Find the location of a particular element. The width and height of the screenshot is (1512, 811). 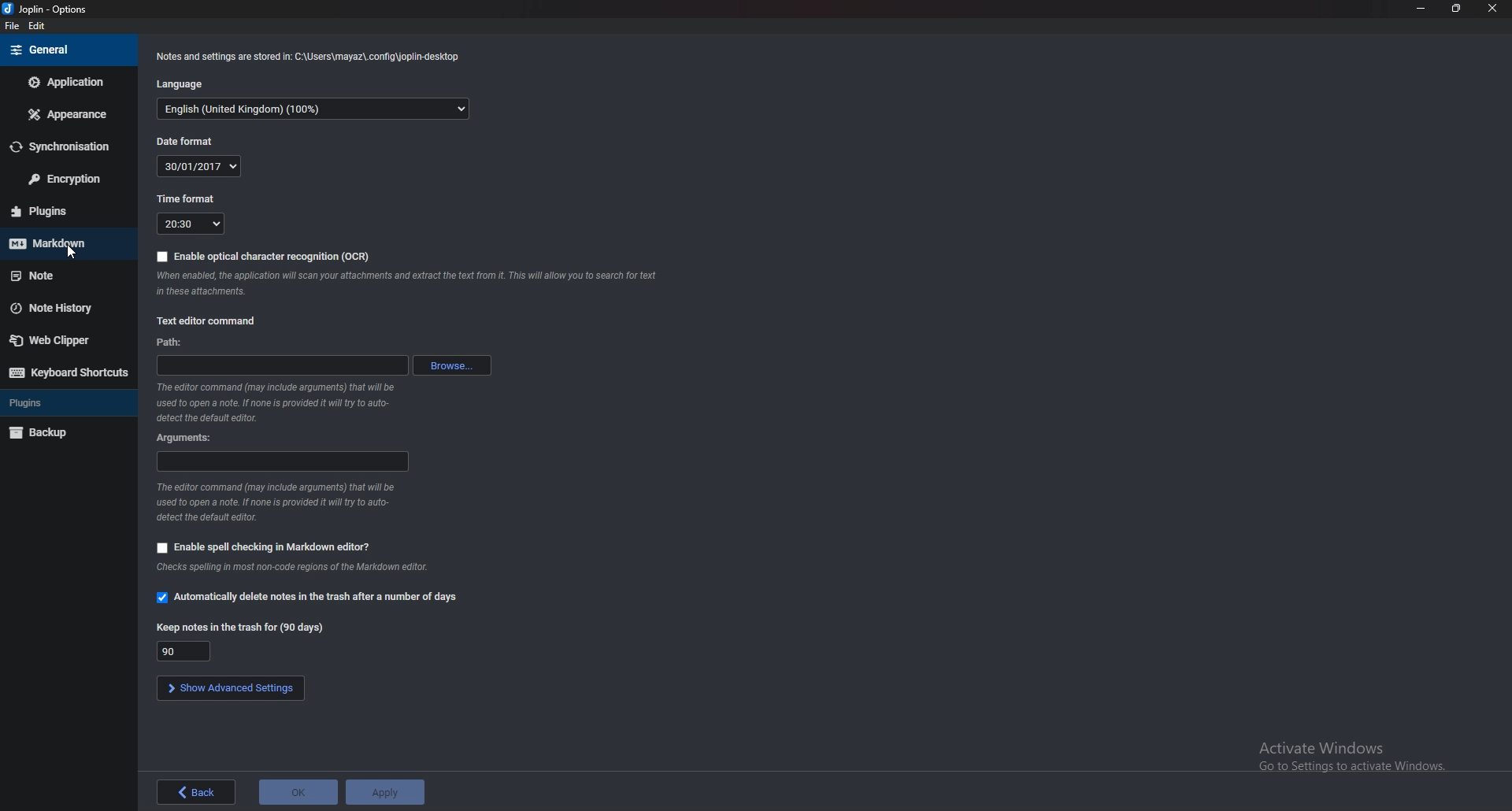

ok is located at coordinates (297, 792).